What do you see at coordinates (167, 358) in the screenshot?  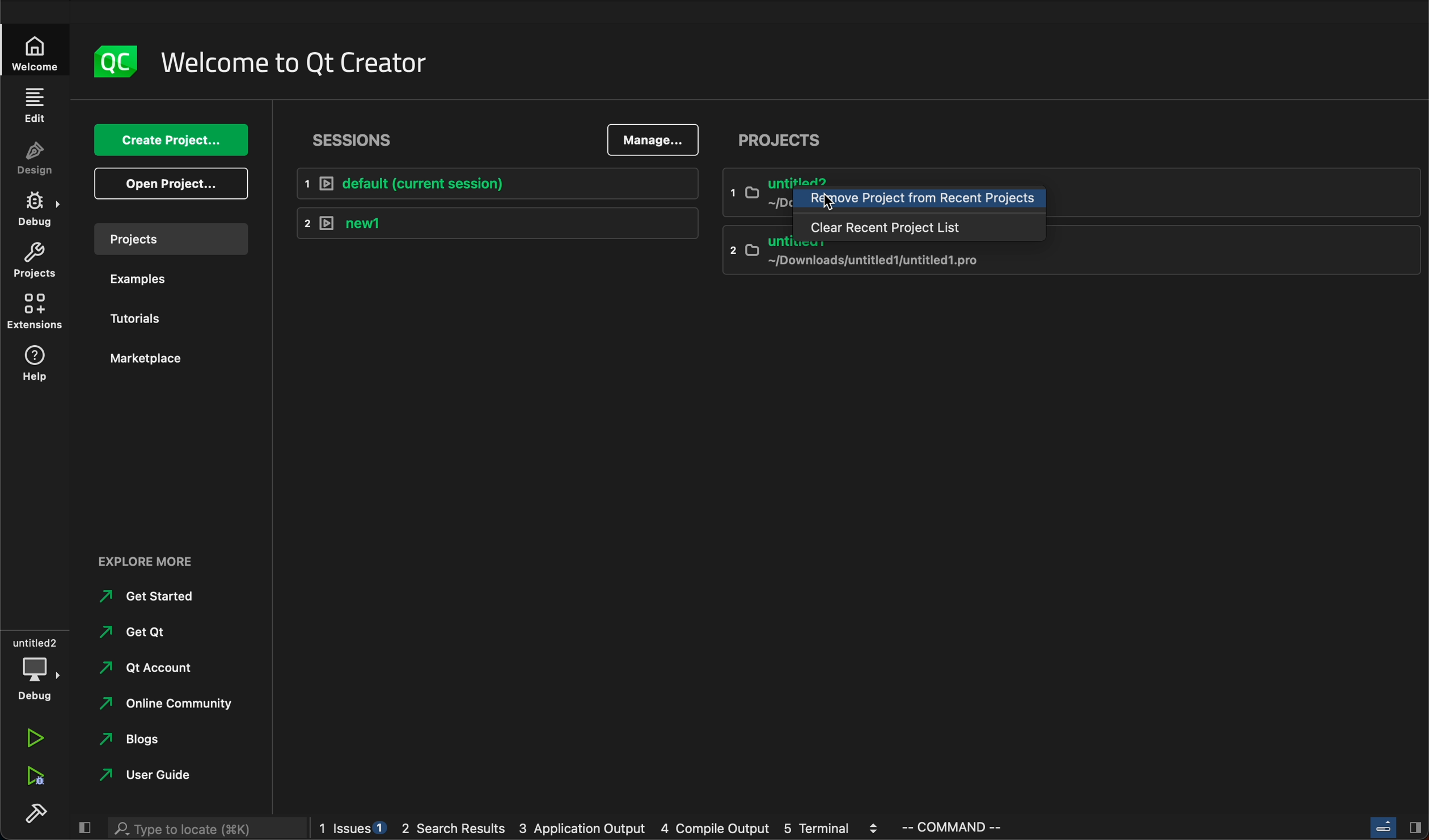 I see `marketplace` at bounding box center [167, 358].